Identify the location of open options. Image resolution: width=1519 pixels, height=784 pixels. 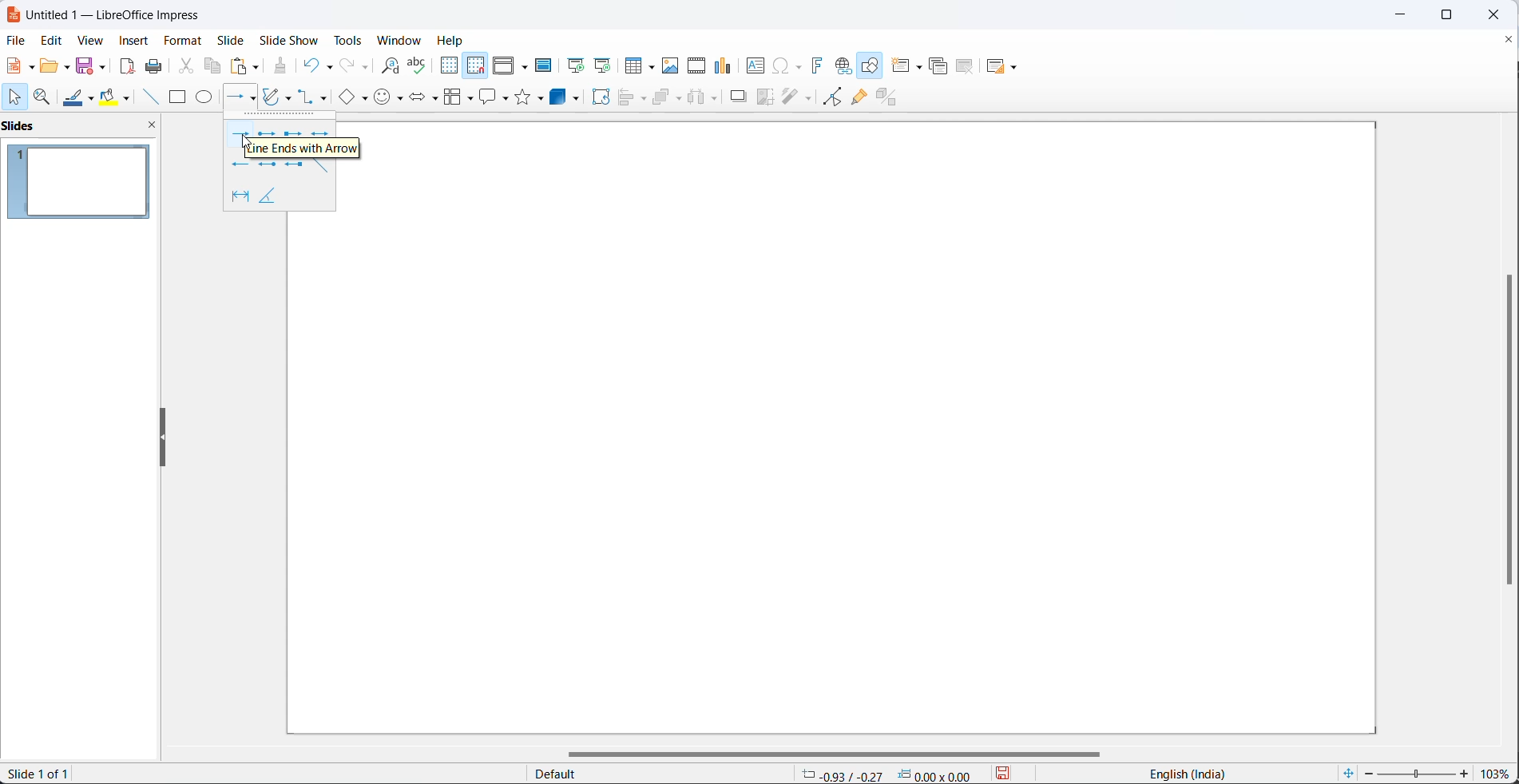
(53, 65).